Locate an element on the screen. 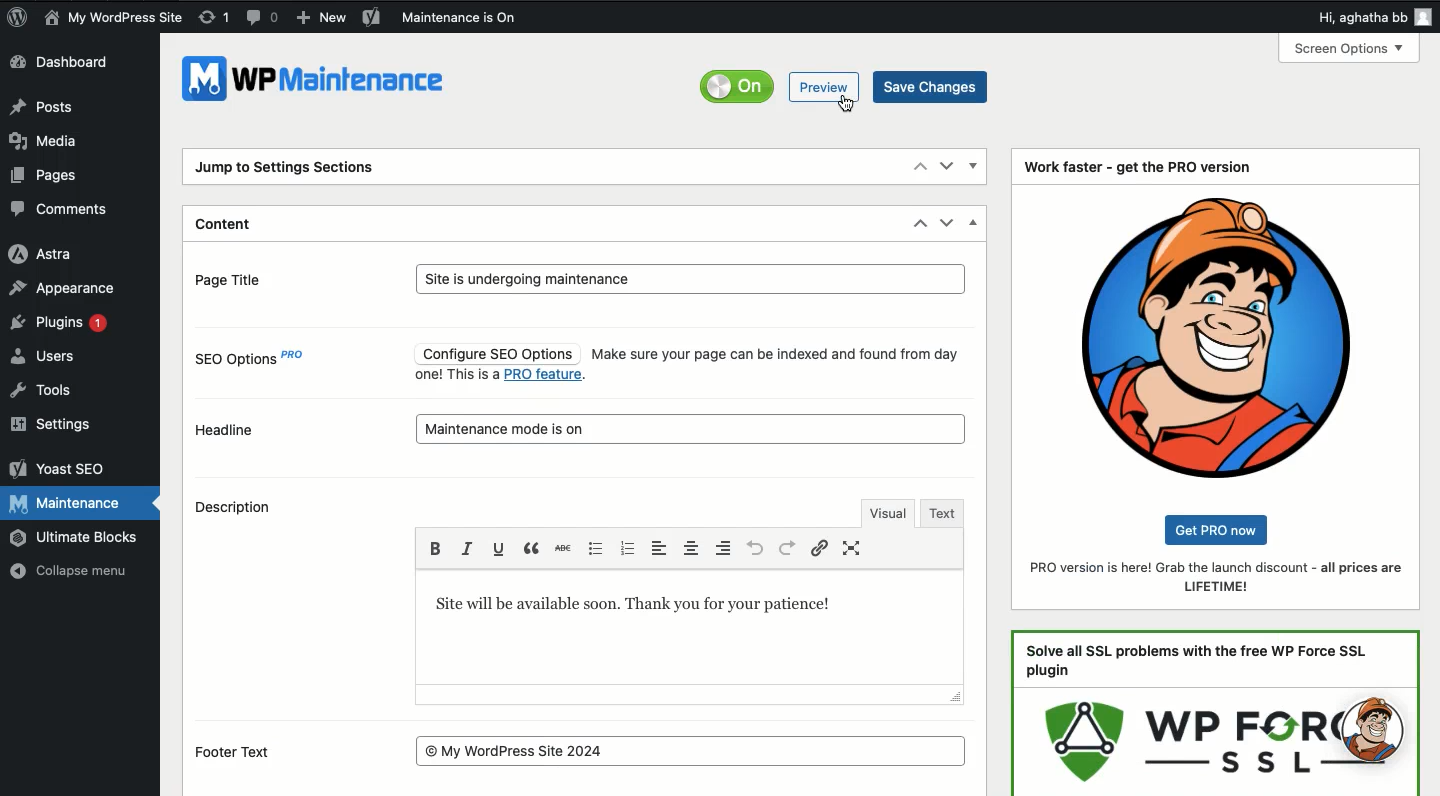 The image size is (1440, 796). Yoast is located at coordinates (58, 469).